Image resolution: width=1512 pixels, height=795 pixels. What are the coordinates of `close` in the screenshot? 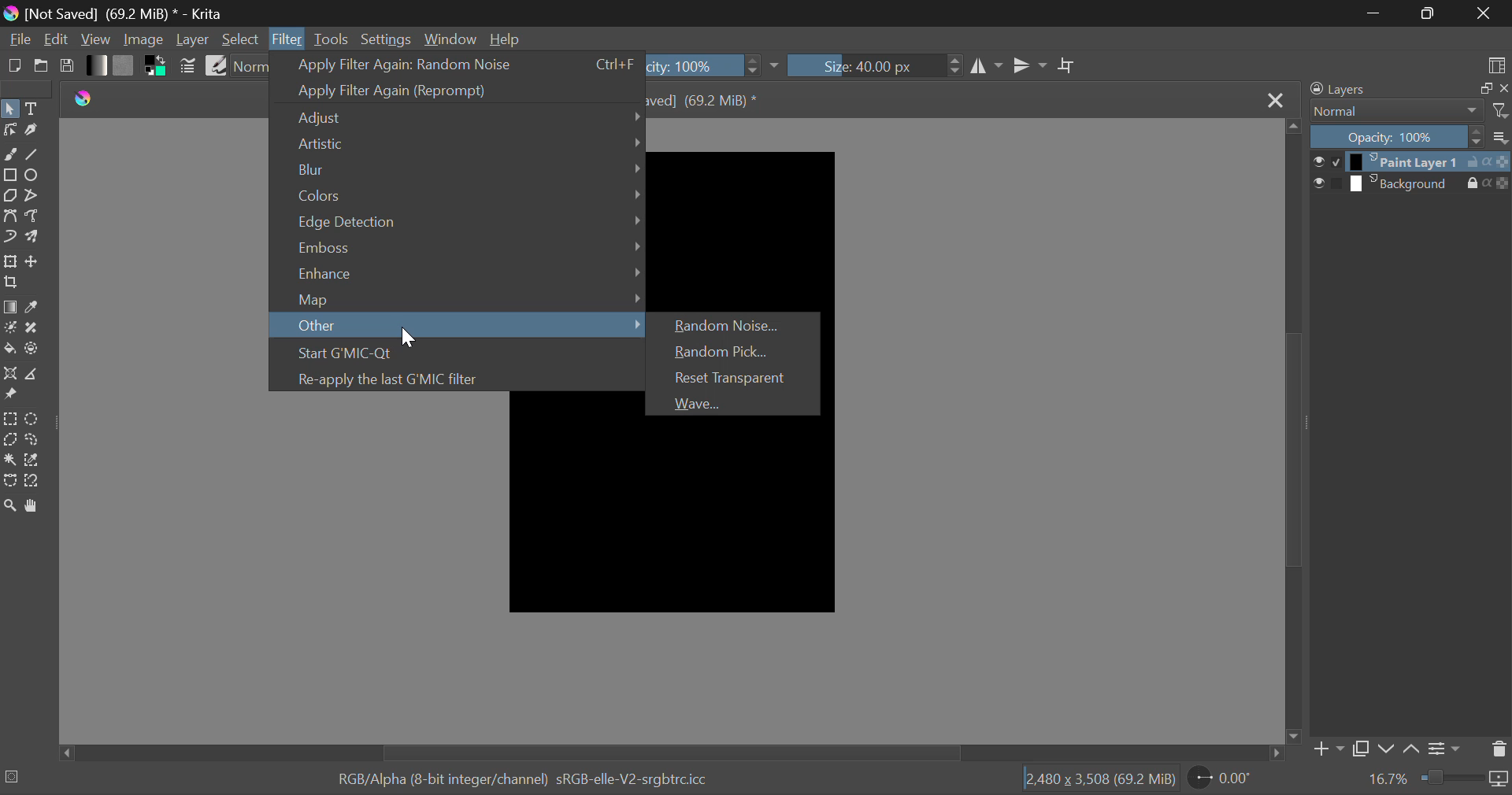 It's located at (1503, 88).